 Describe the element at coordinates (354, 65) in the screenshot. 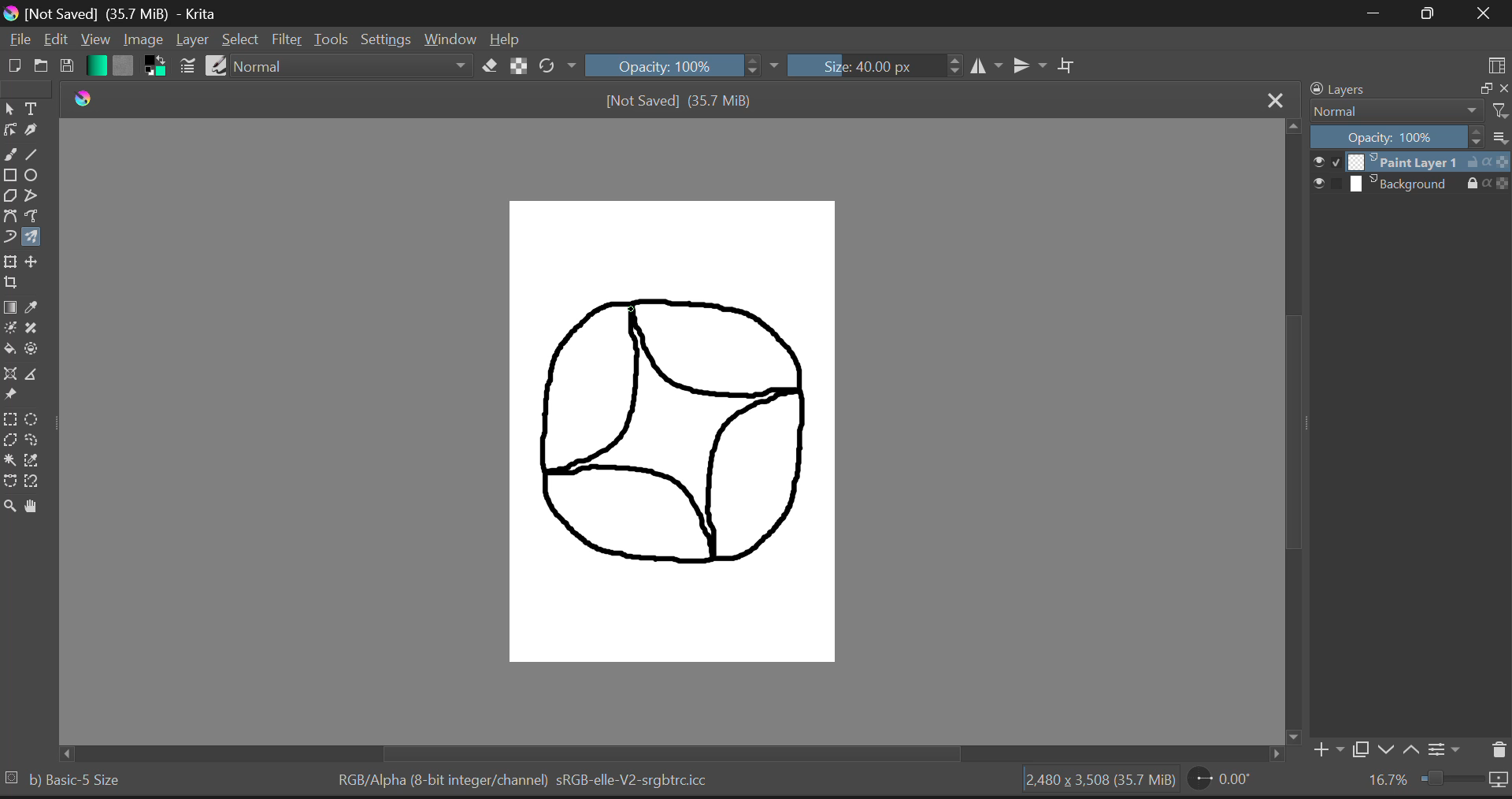

I see `Normal` at that location.